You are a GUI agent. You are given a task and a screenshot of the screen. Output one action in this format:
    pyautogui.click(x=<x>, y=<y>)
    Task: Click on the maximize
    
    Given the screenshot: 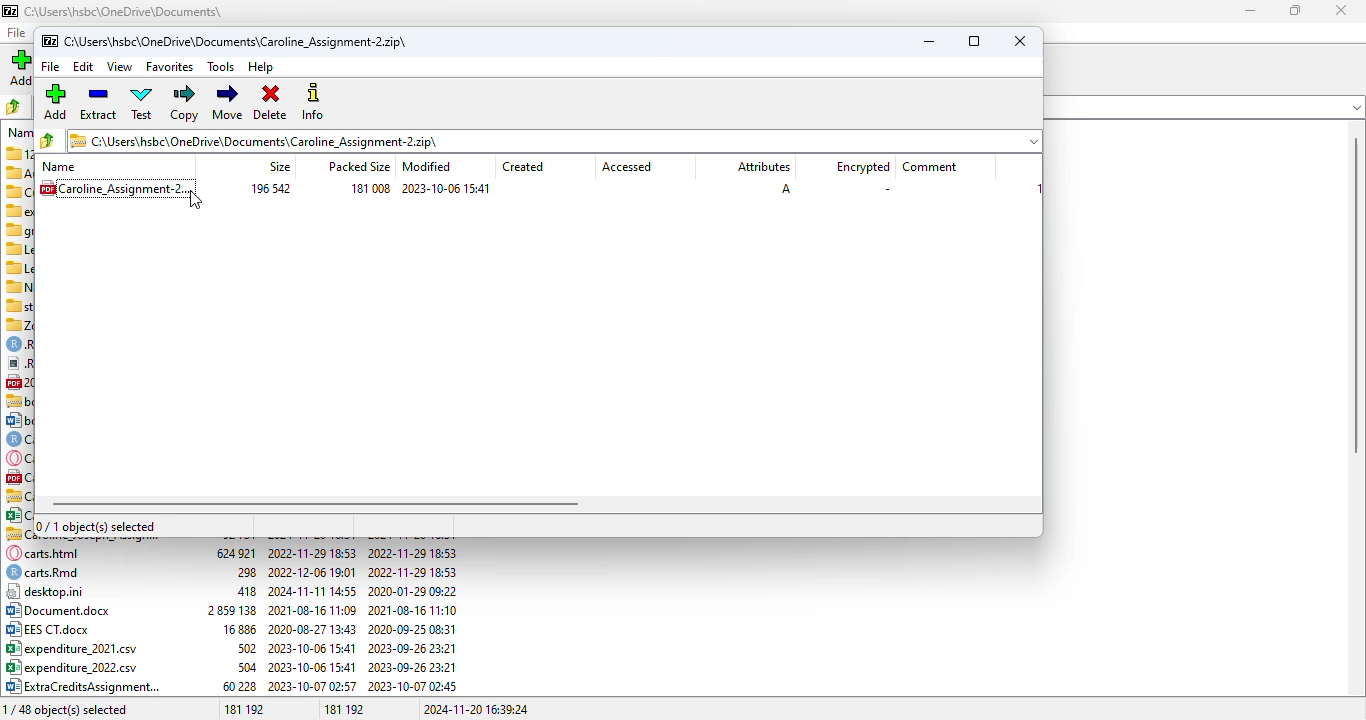 What is the action you would take?
    pyautogui.click(x=1293, y=10)
    